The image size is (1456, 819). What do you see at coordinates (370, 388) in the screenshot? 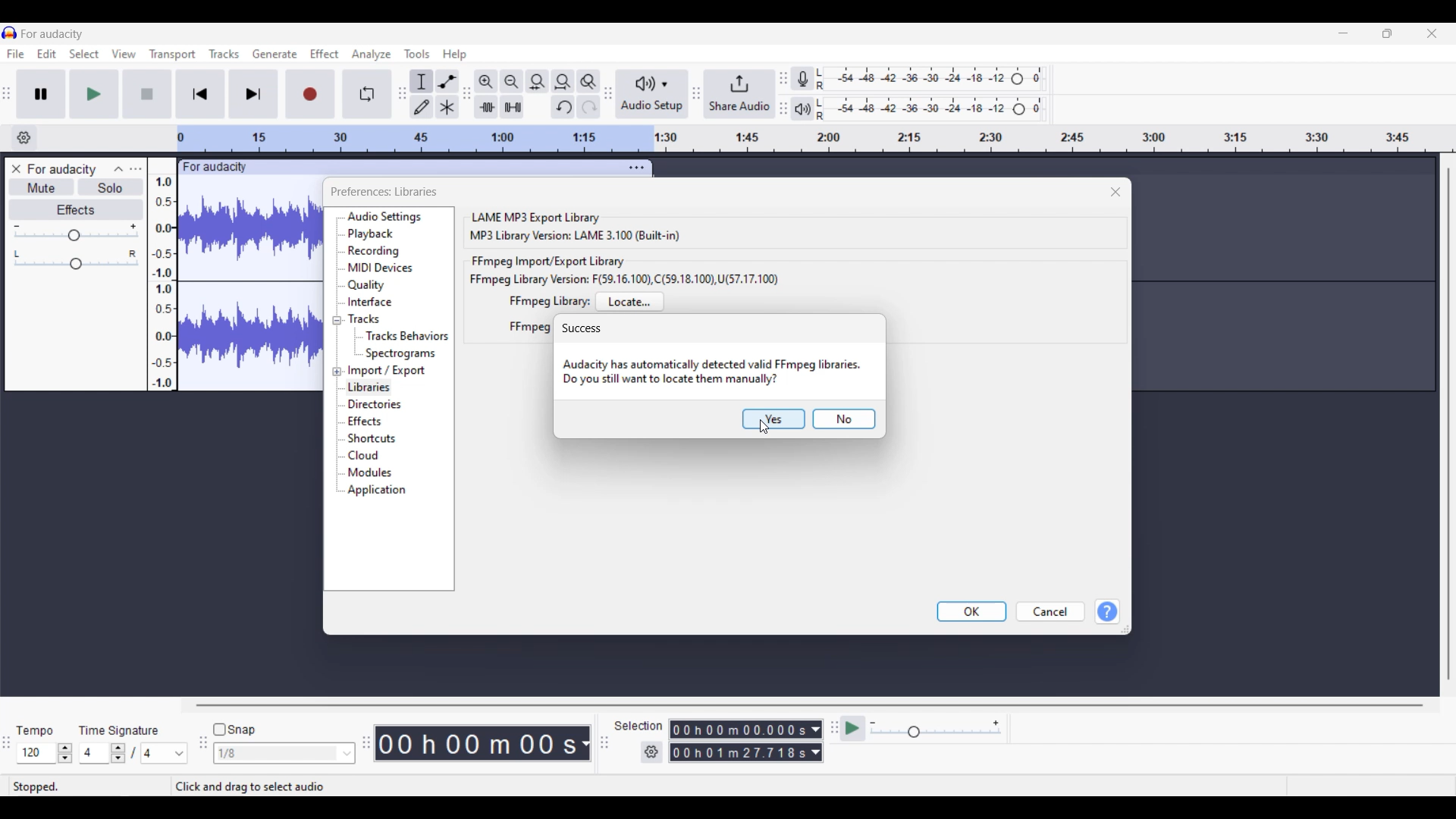
I see `Libraries, current selection highlighted` at bounding box center [370, 388].